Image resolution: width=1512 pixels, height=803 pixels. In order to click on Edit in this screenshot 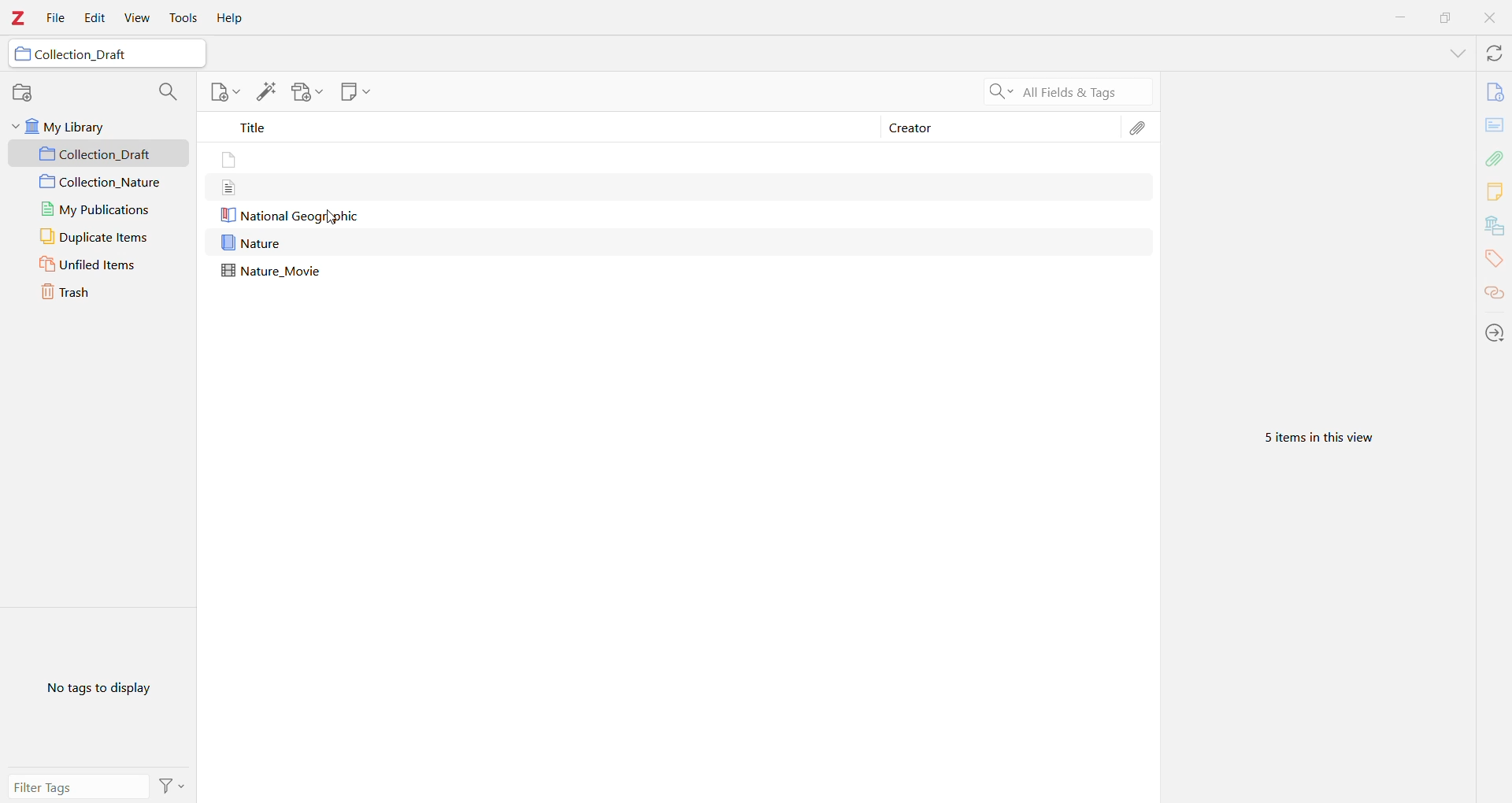, I will do `click(94, 18)`.